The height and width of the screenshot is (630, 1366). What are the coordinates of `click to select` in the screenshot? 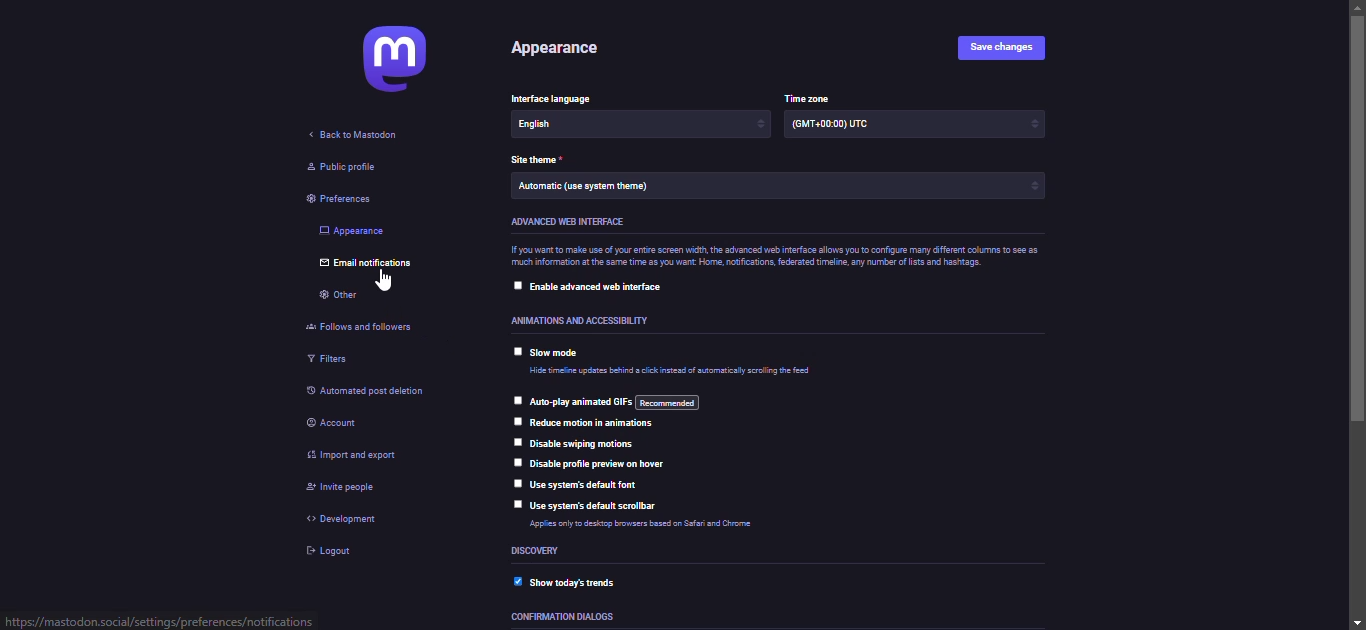 It's located at (518, 461).